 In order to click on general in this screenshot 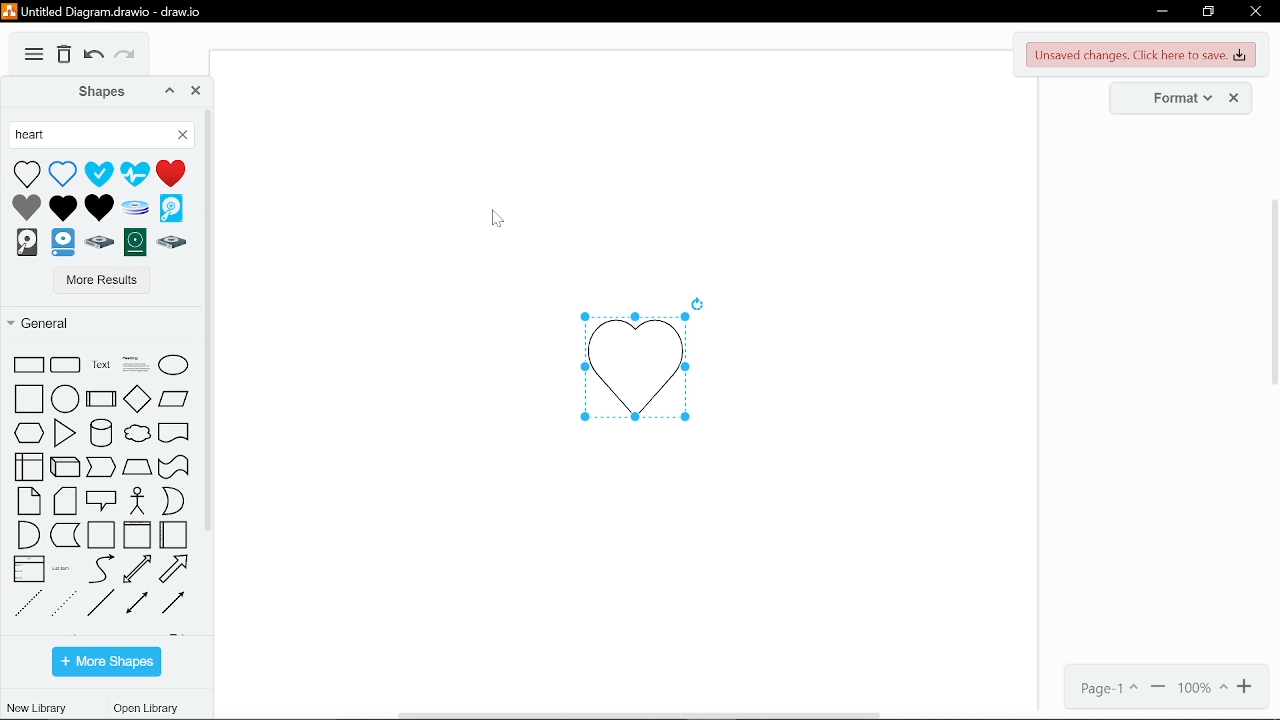, I will do `click(99, 323)`.